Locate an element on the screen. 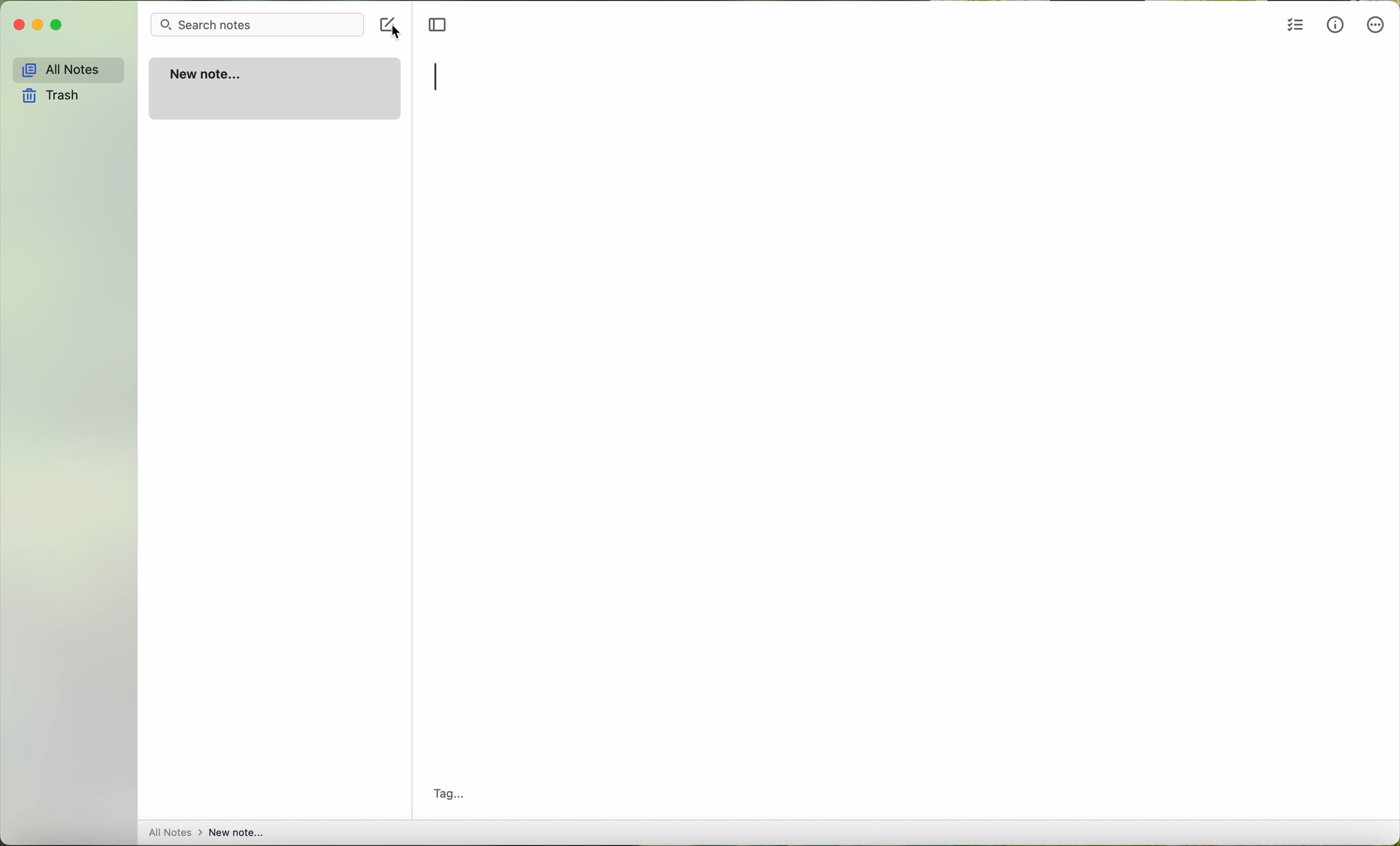 The width and height of the screenshot is (1400, 846). maximize Simplenote is located at coordinates (57, 25).